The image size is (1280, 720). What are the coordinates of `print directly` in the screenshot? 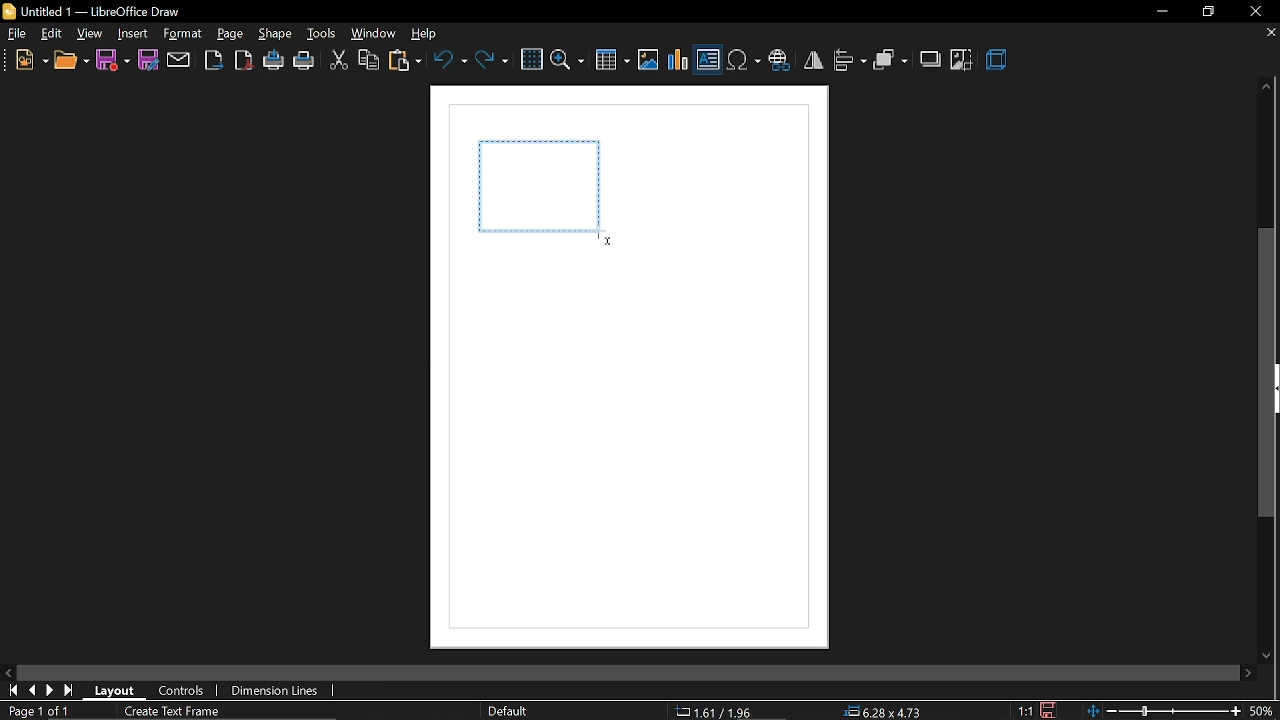 It's located at (275, 61).